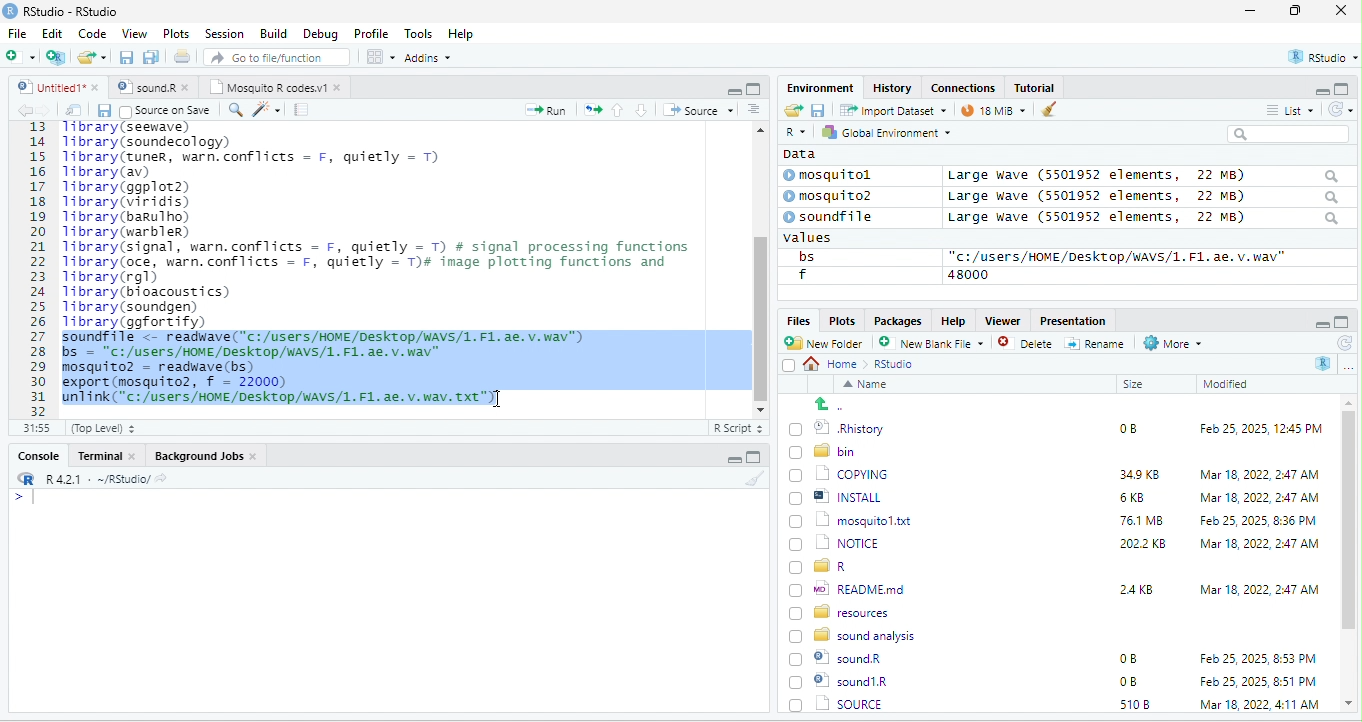 The image size is (1362, 722). Describe the element at coordinates (739, 428) in the screenshot. I see `R Script 5` at that location.